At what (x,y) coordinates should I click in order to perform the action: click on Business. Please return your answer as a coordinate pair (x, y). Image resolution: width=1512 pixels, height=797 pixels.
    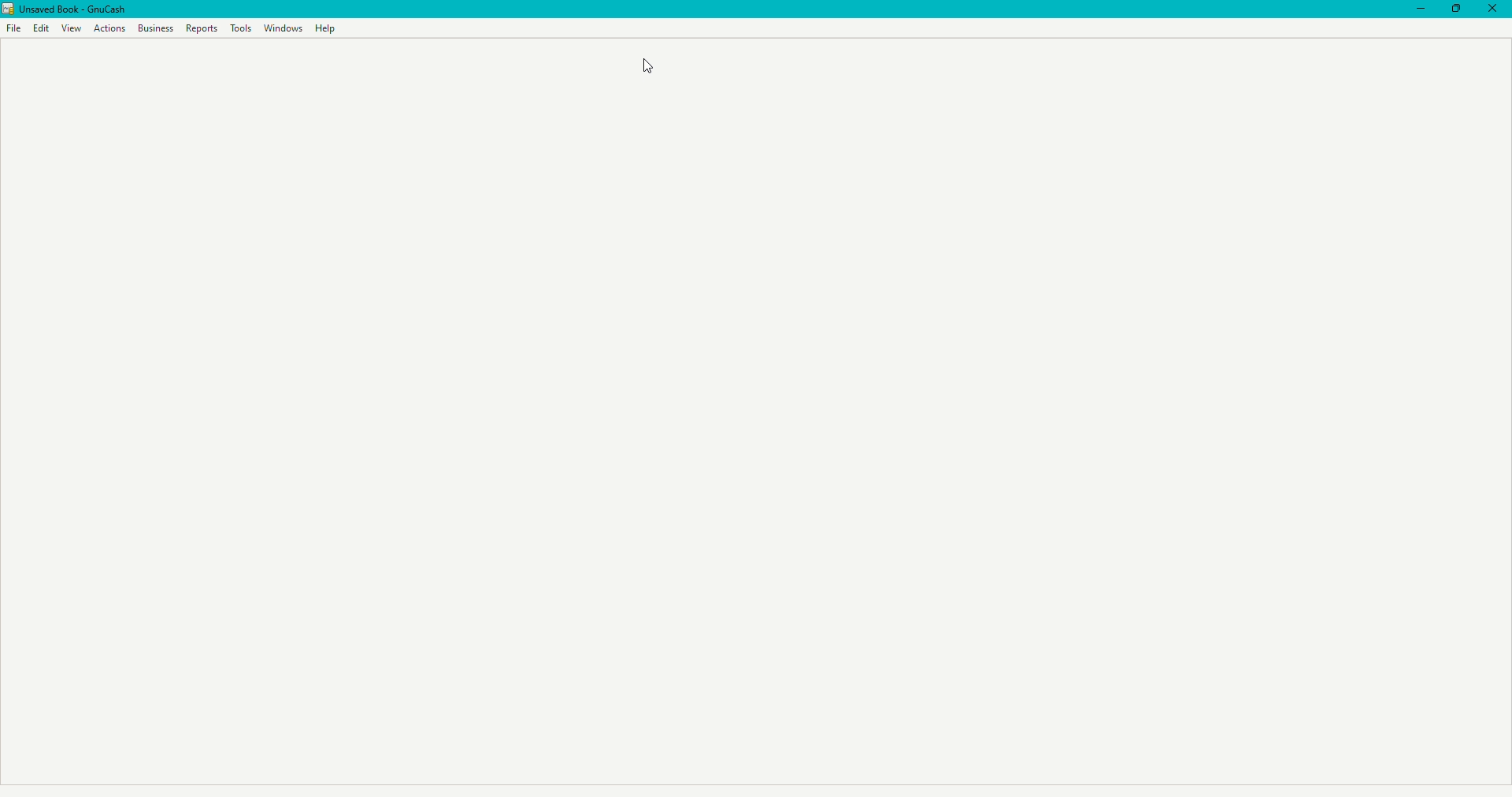
    Looking at the image, I should click on (154, 28).